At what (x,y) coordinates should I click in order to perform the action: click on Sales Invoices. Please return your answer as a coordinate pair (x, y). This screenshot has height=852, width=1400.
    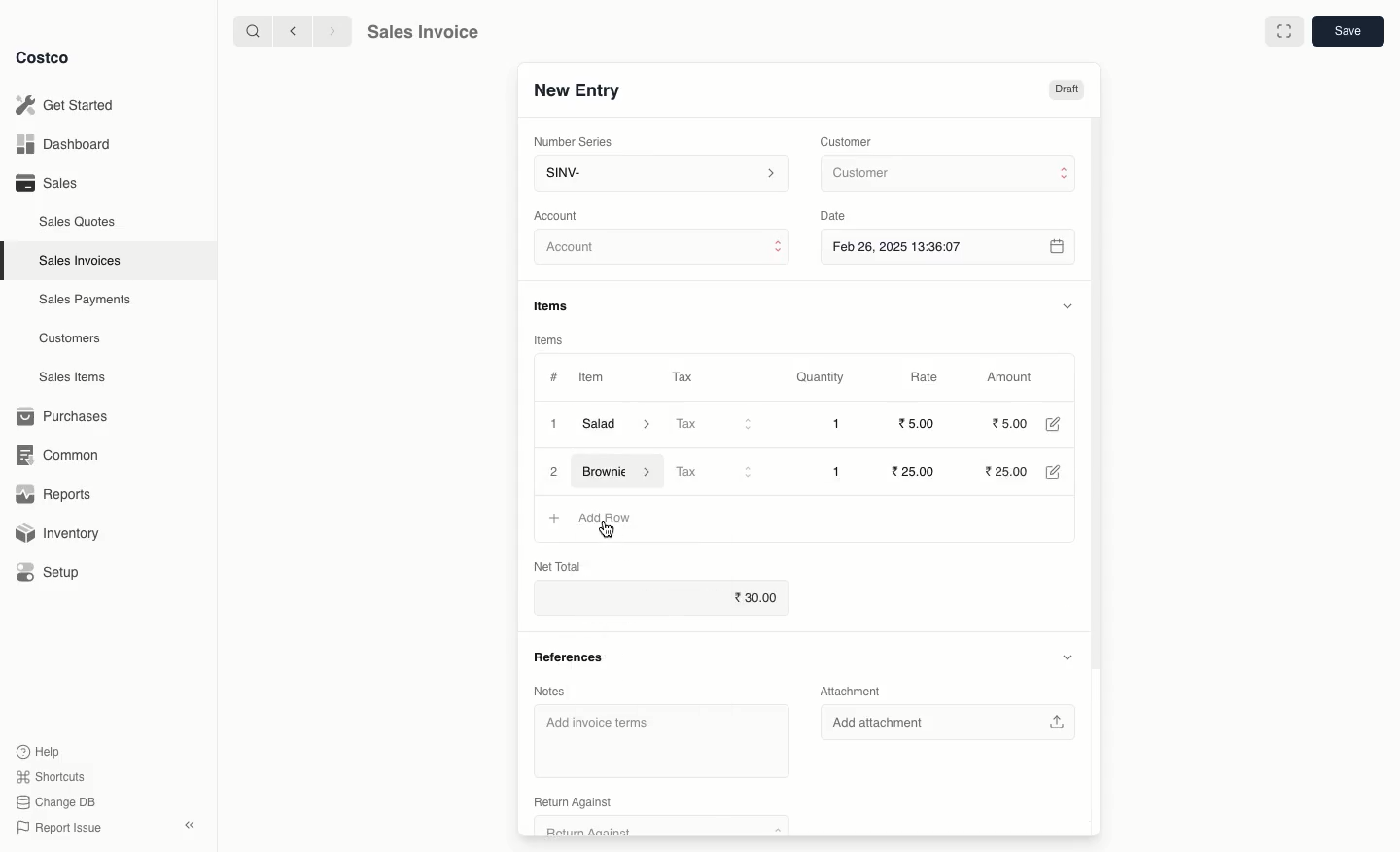
    Looking at the image, I should click on (81, 261).